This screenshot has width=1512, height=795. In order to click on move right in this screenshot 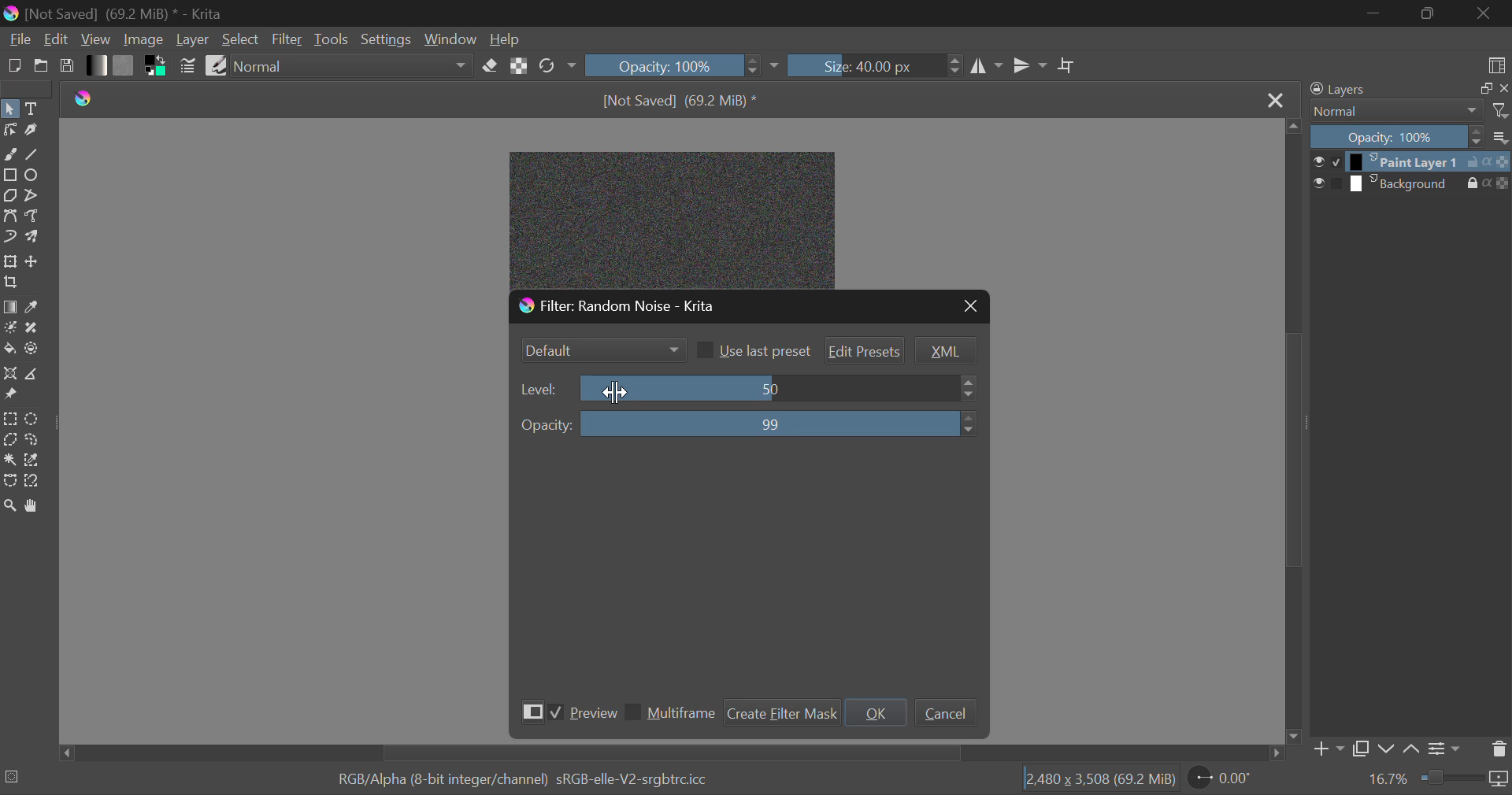, I will do `click(1274, 753)`.